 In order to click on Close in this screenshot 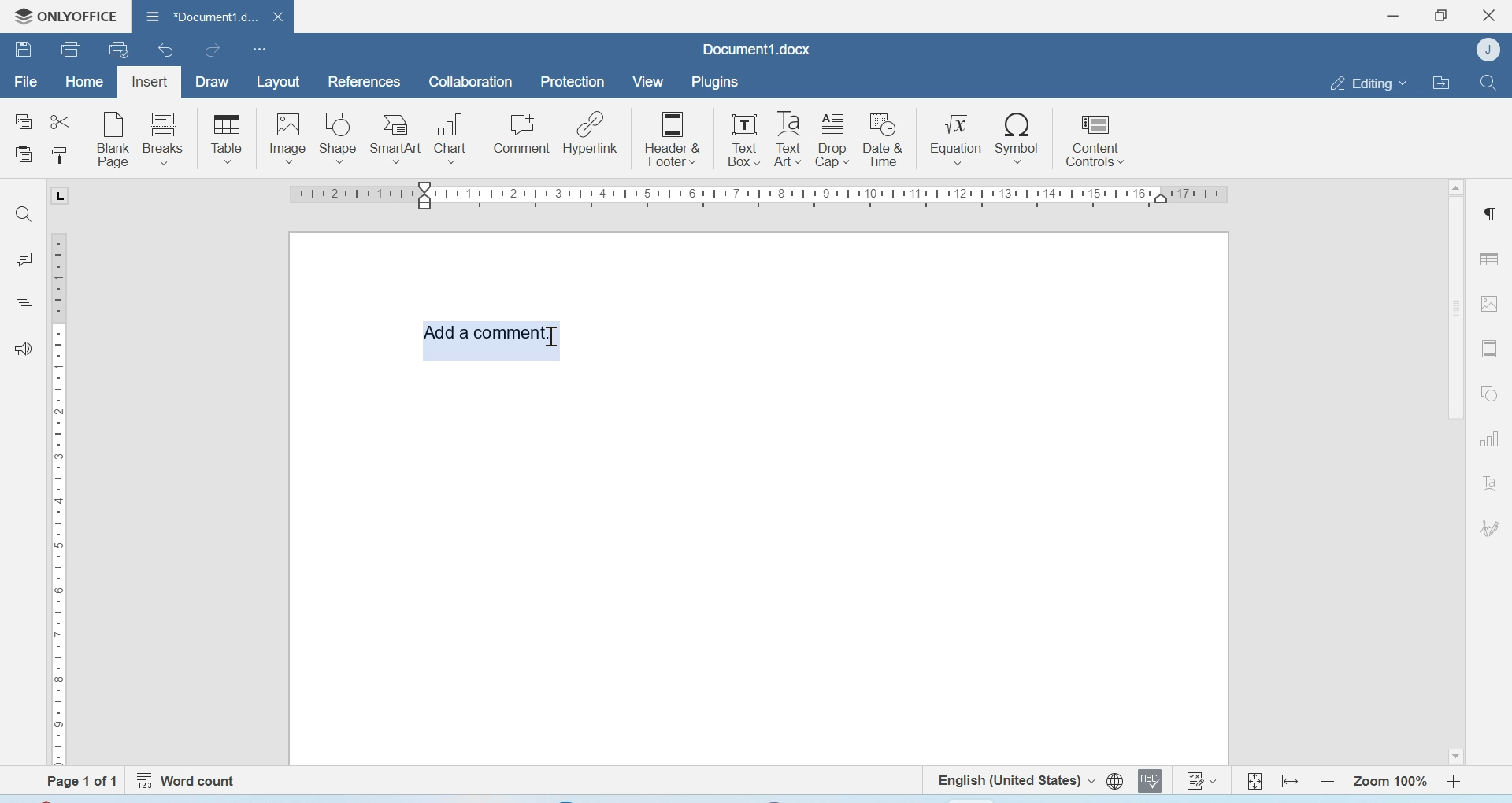, I will do `click(1491, 16)`.